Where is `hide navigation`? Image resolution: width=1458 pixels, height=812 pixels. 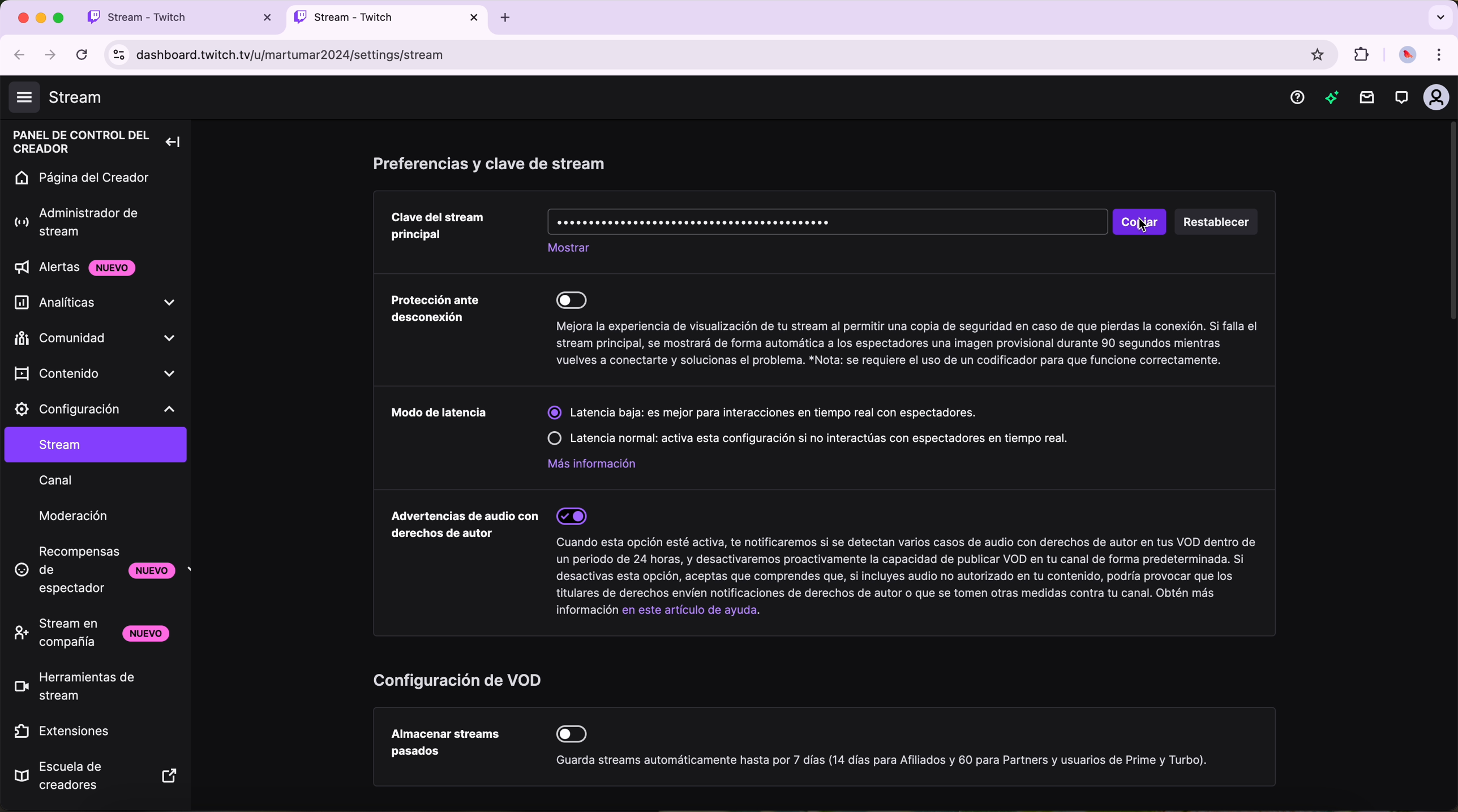
hide navigation is located at coordinates (21, 97).